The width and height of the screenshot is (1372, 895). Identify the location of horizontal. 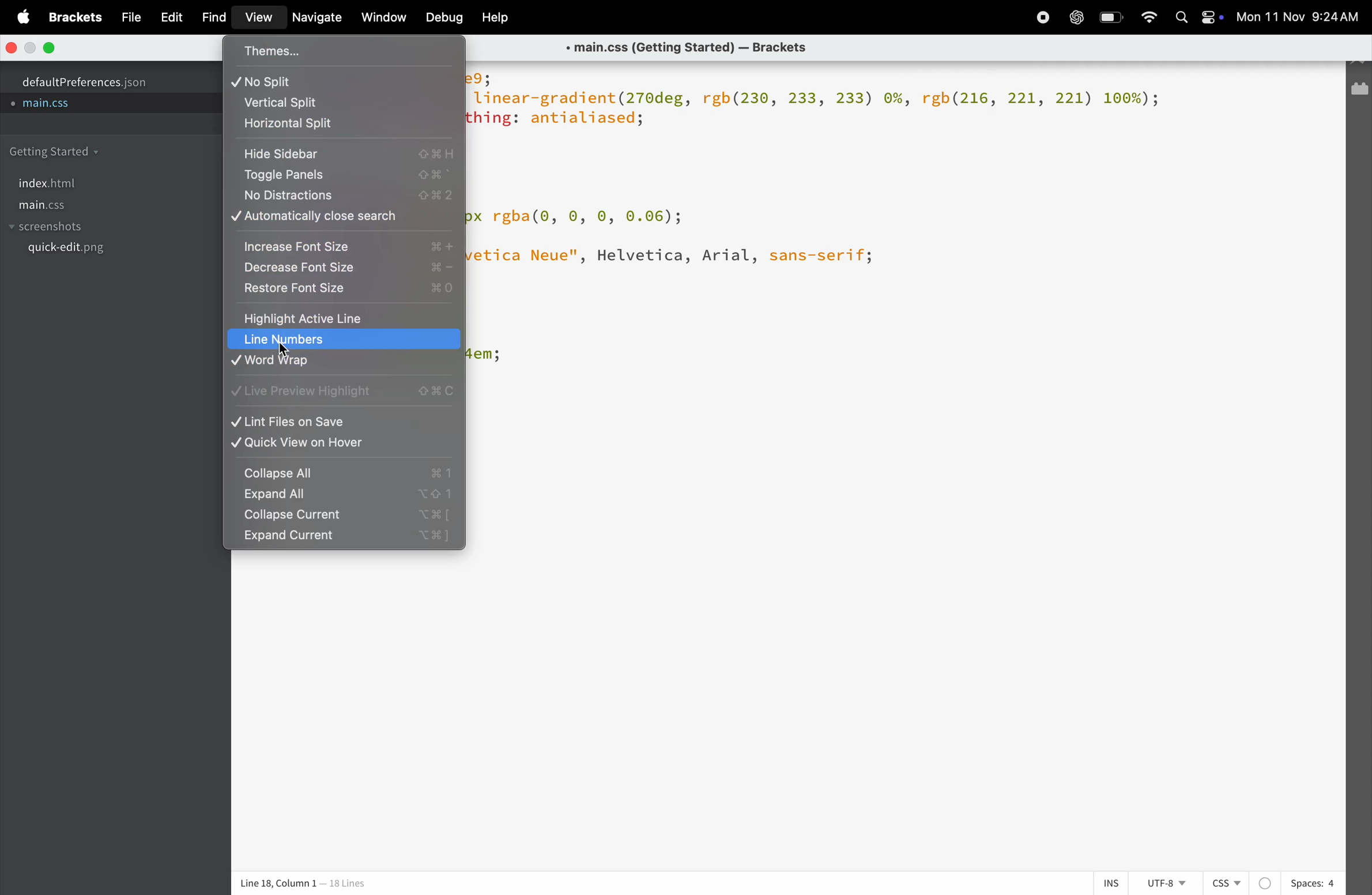
(346, 126).